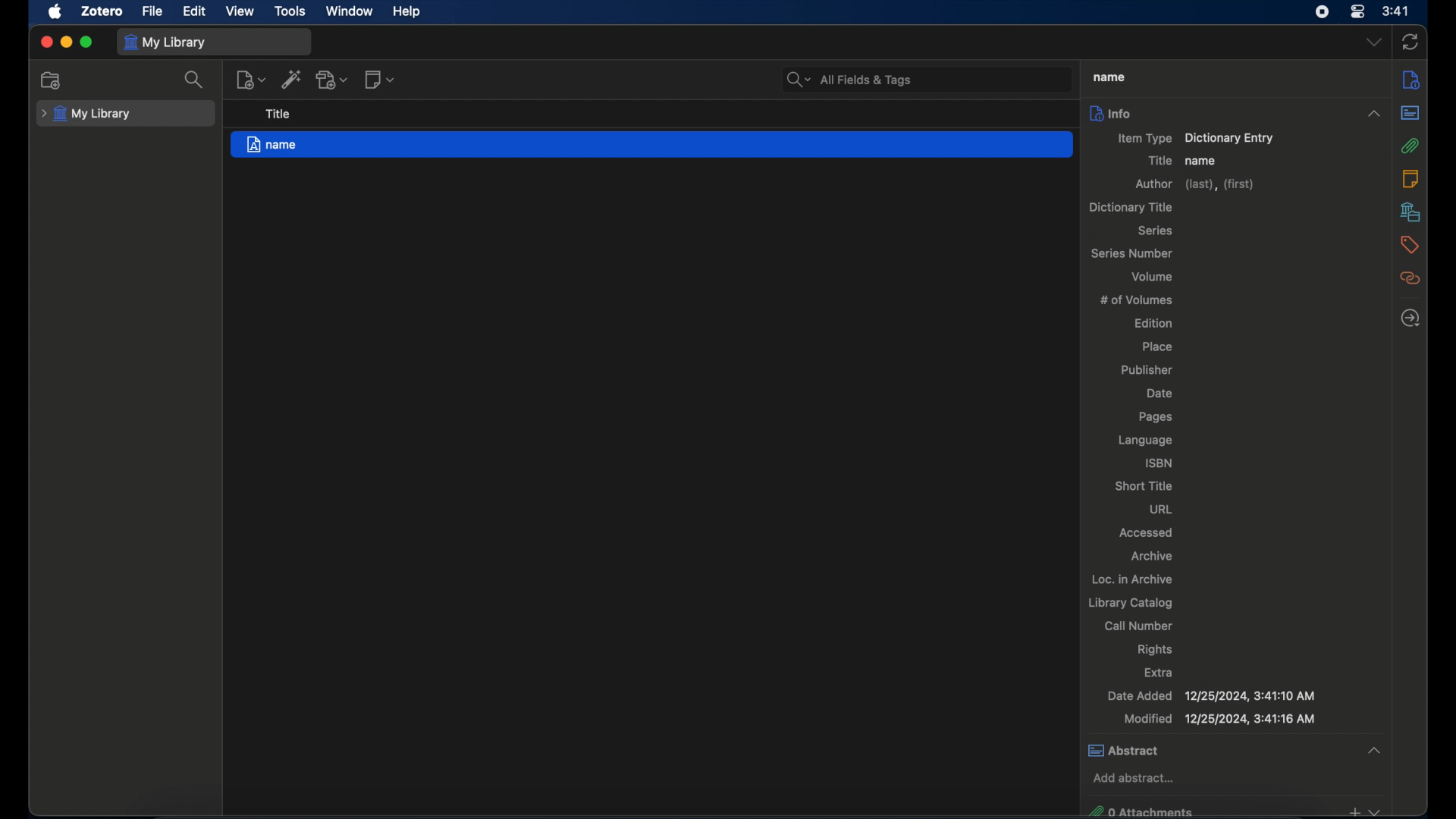 The height and width of the screenshot is (819, 1456). What do you see at coordinates (290, 79) in the screenshot?
I see `add item by identifier` at bounding box center [290, 79].